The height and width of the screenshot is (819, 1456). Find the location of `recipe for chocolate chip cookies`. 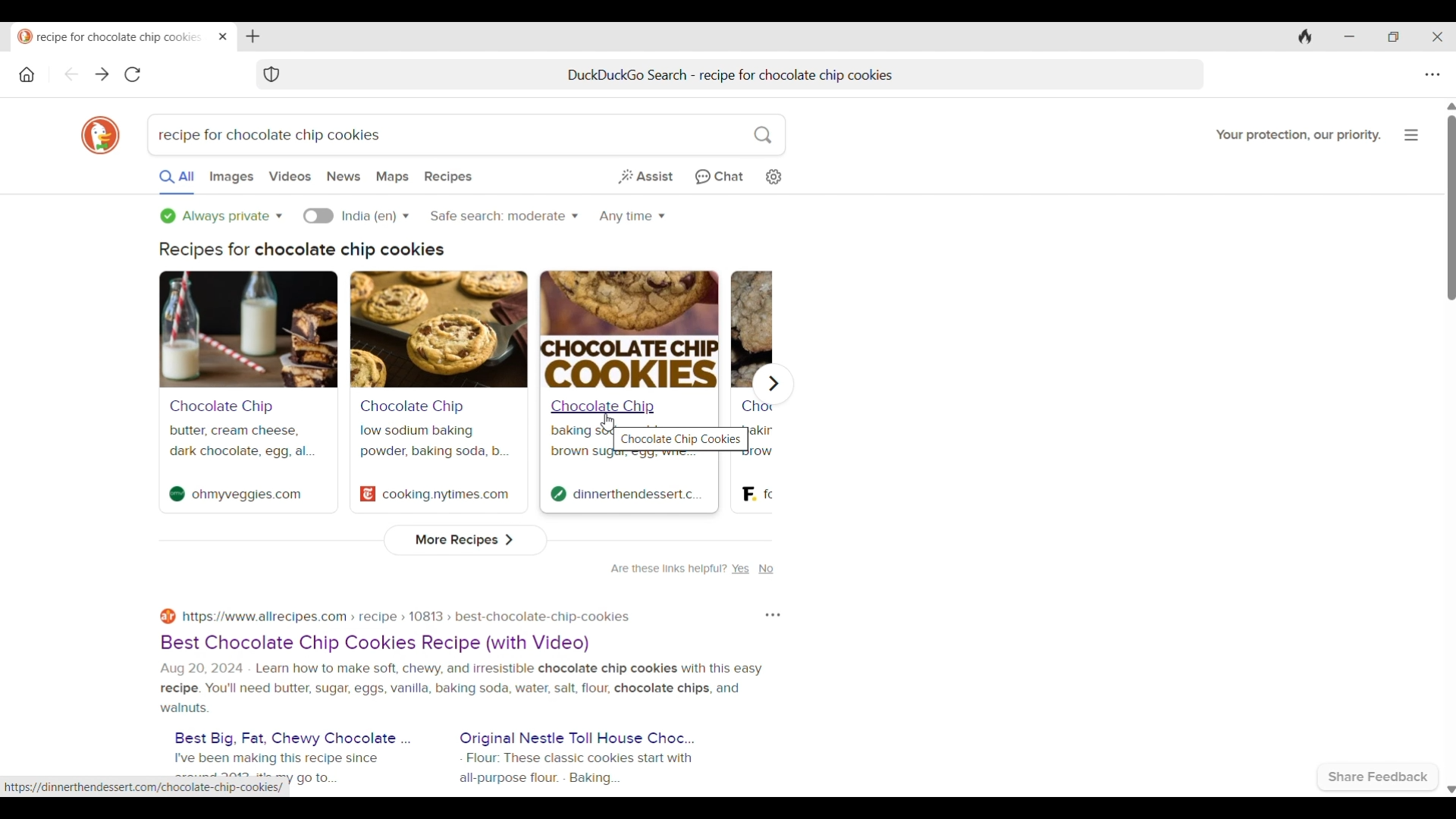

recipe for chocolate chip cookies is located at coordinates (273, 135).